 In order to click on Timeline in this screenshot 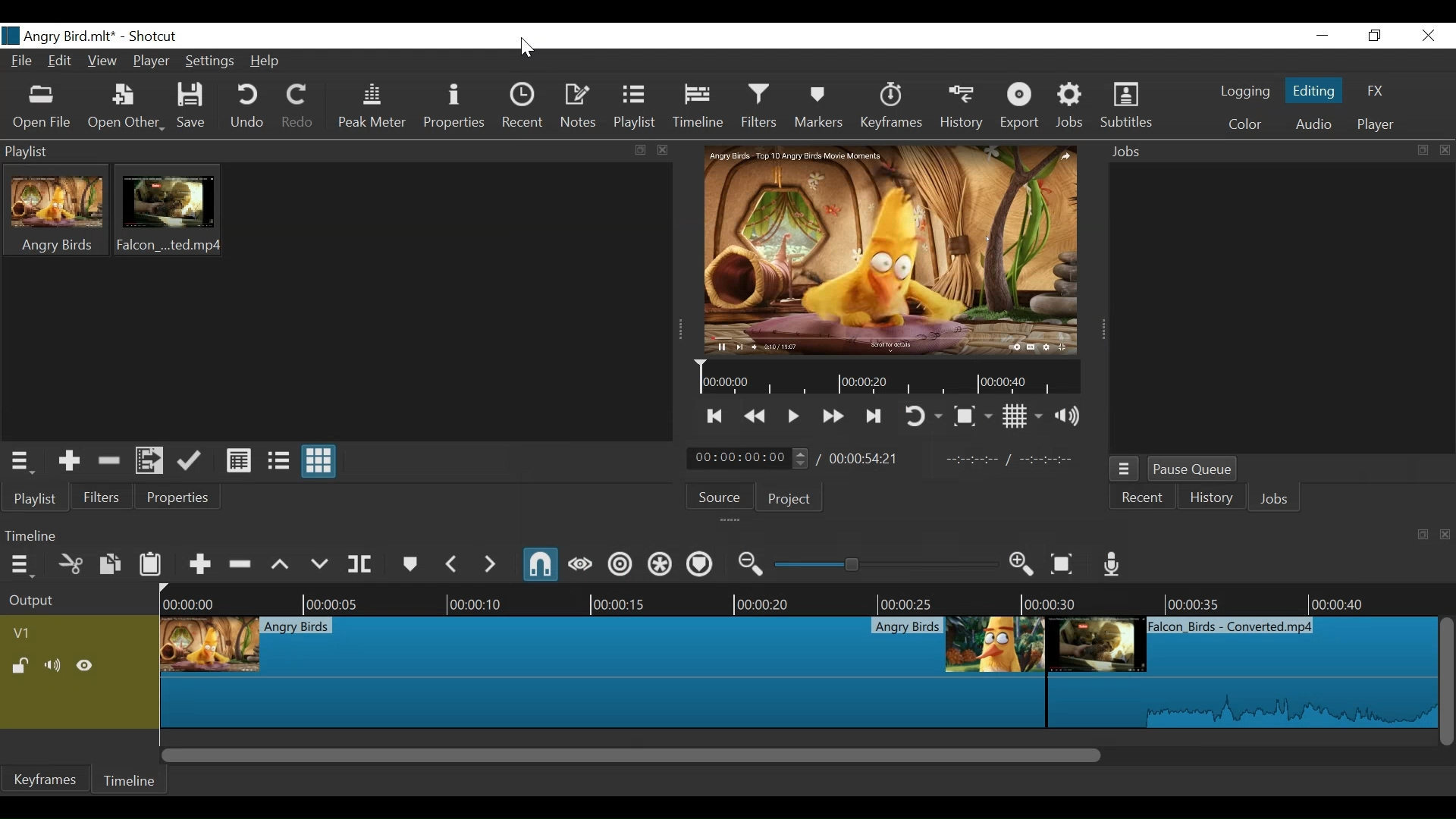, I will do `click(698, 106)`.